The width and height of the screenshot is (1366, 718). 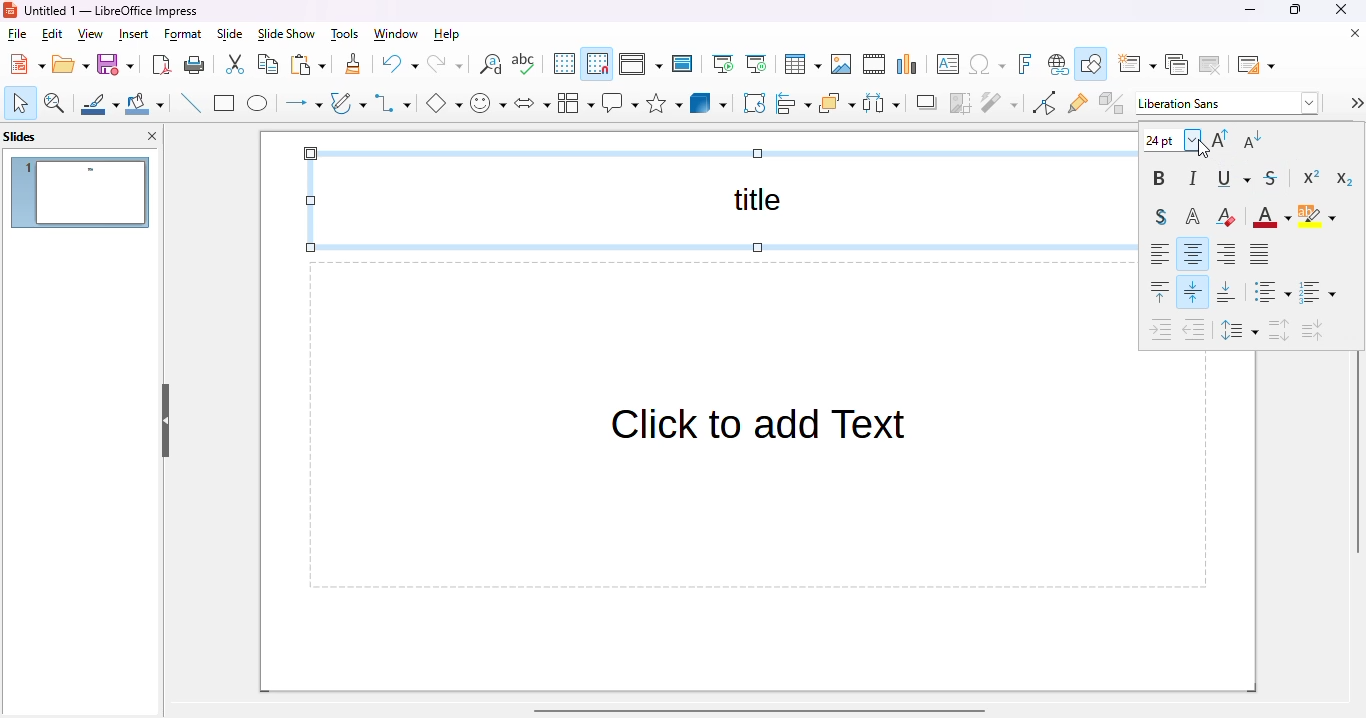 I want to click on find and replace, so click(x=491, y=64).